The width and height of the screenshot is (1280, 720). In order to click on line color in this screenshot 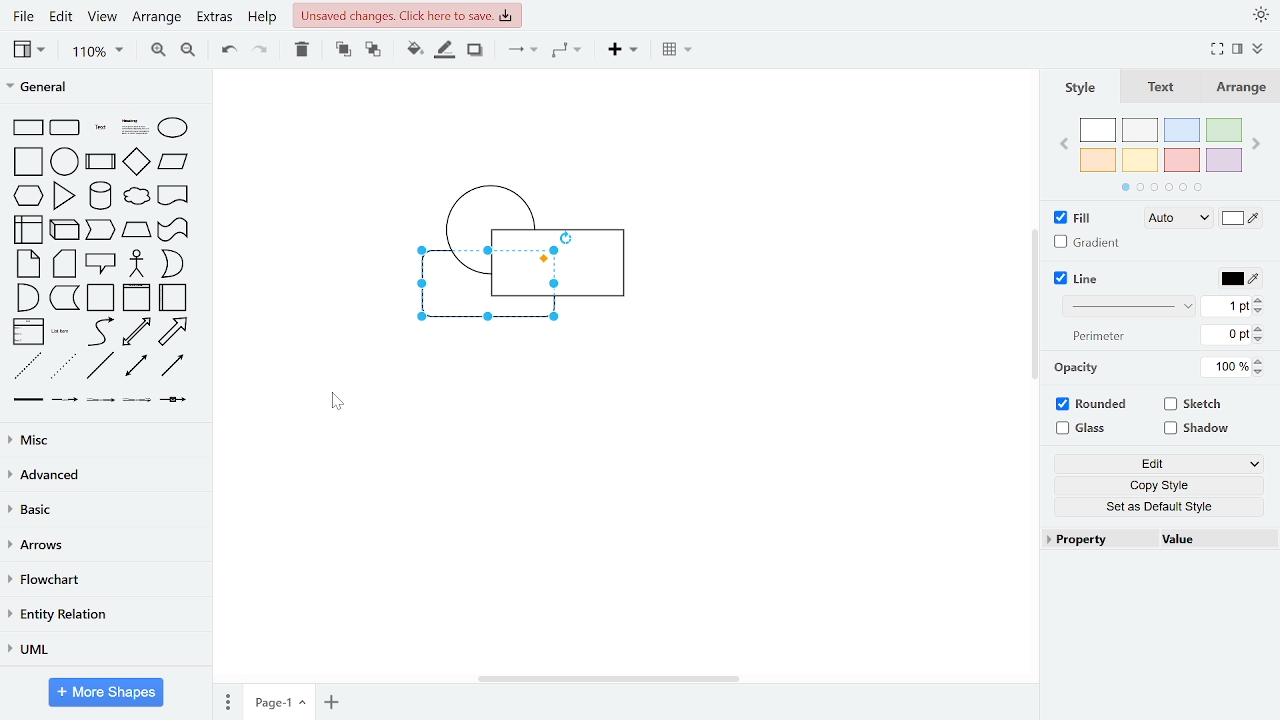, I will do `click(1242, 280)`.